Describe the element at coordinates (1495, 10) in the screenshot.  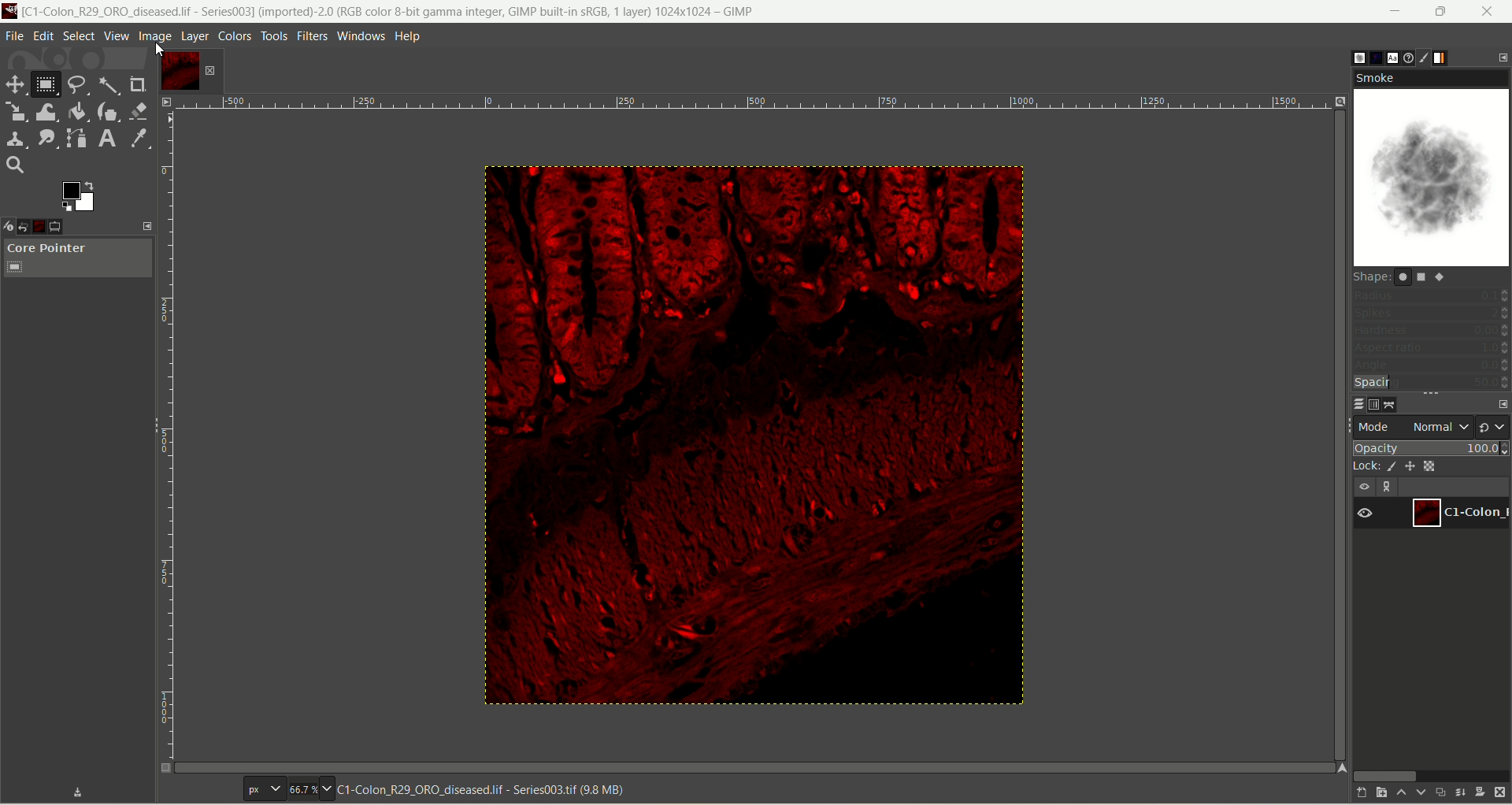
I see `close` at that location.